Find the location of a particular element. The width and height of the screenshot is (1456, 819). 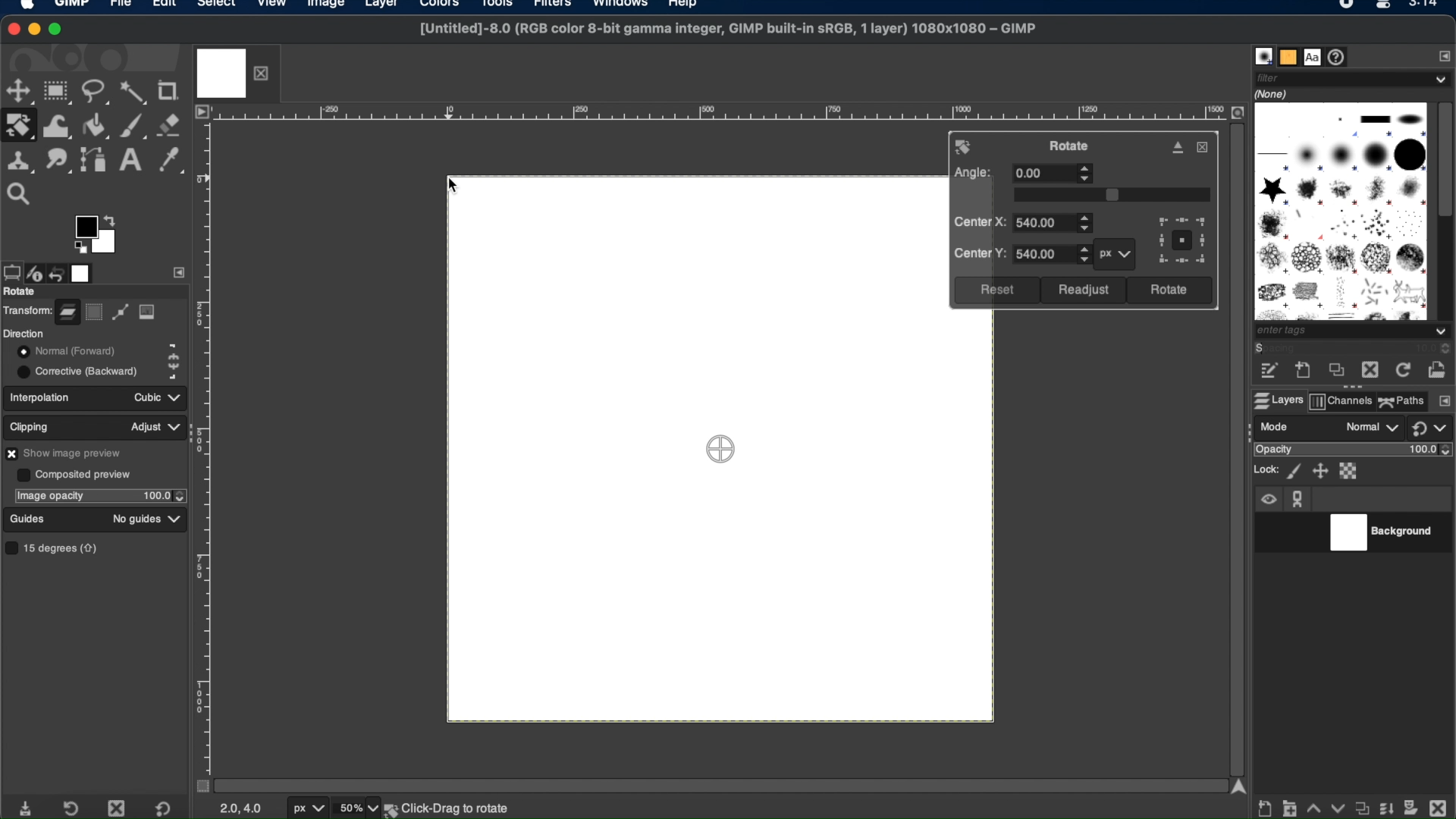

opacity stepper buttons is located at coordinates (165, 495).